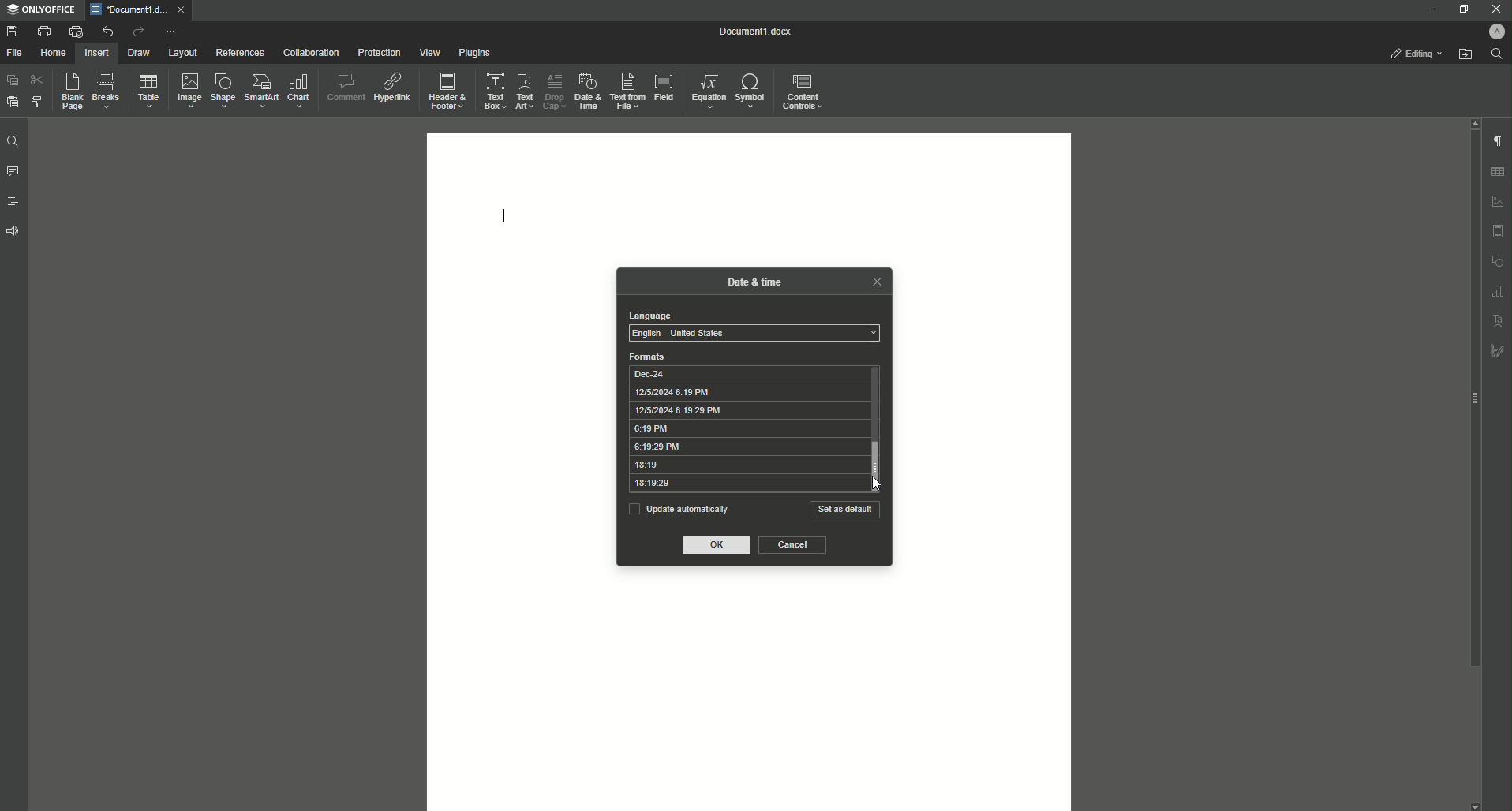 The image size is (1512, 811). What do you see at coordinates (793, 545) in the screenshot?
I see `Cancel` at bounding box center [793, 545].